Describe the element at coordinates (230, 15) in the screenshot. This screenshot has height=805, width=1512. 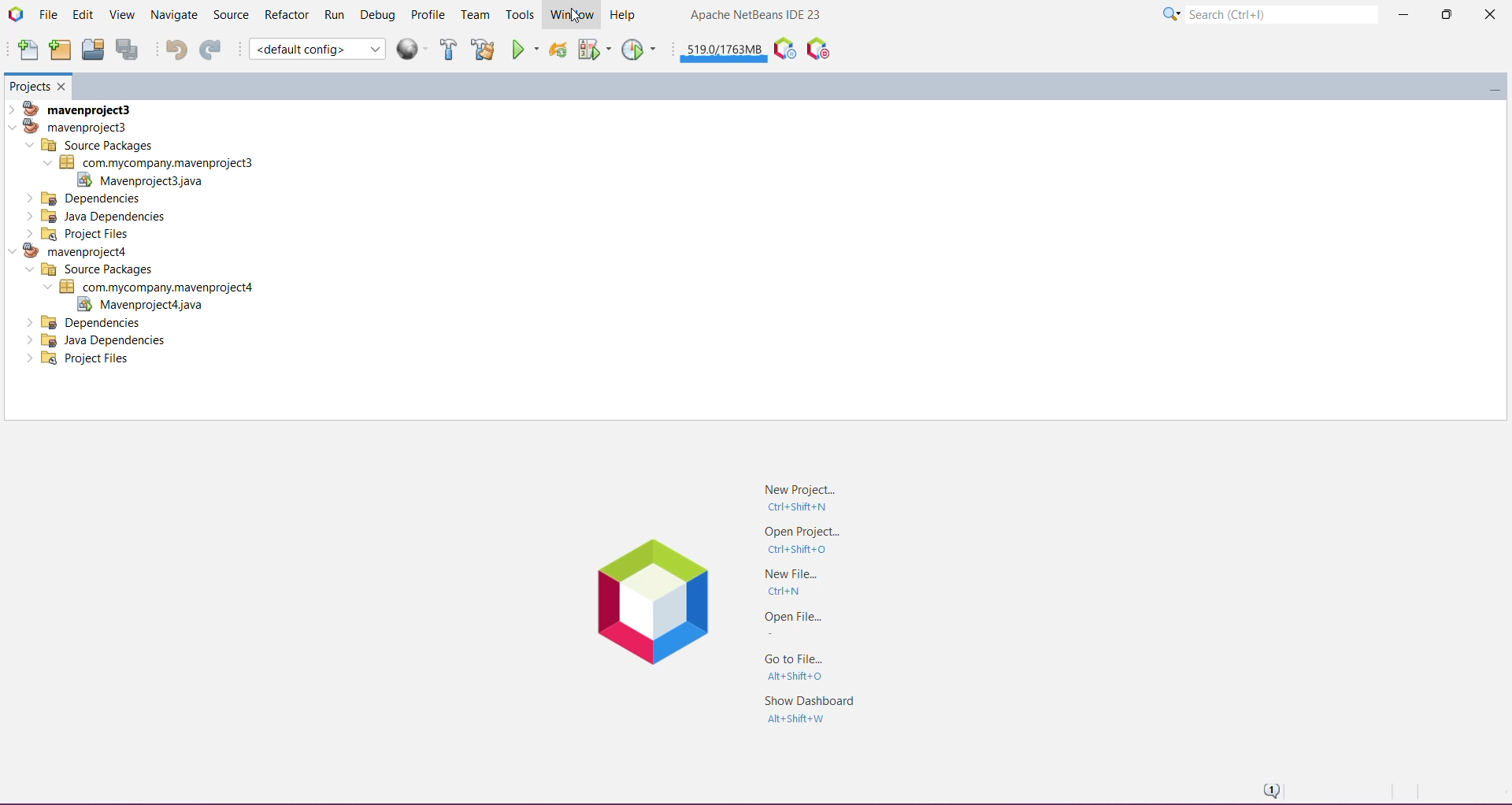
I see `Source` at that location.